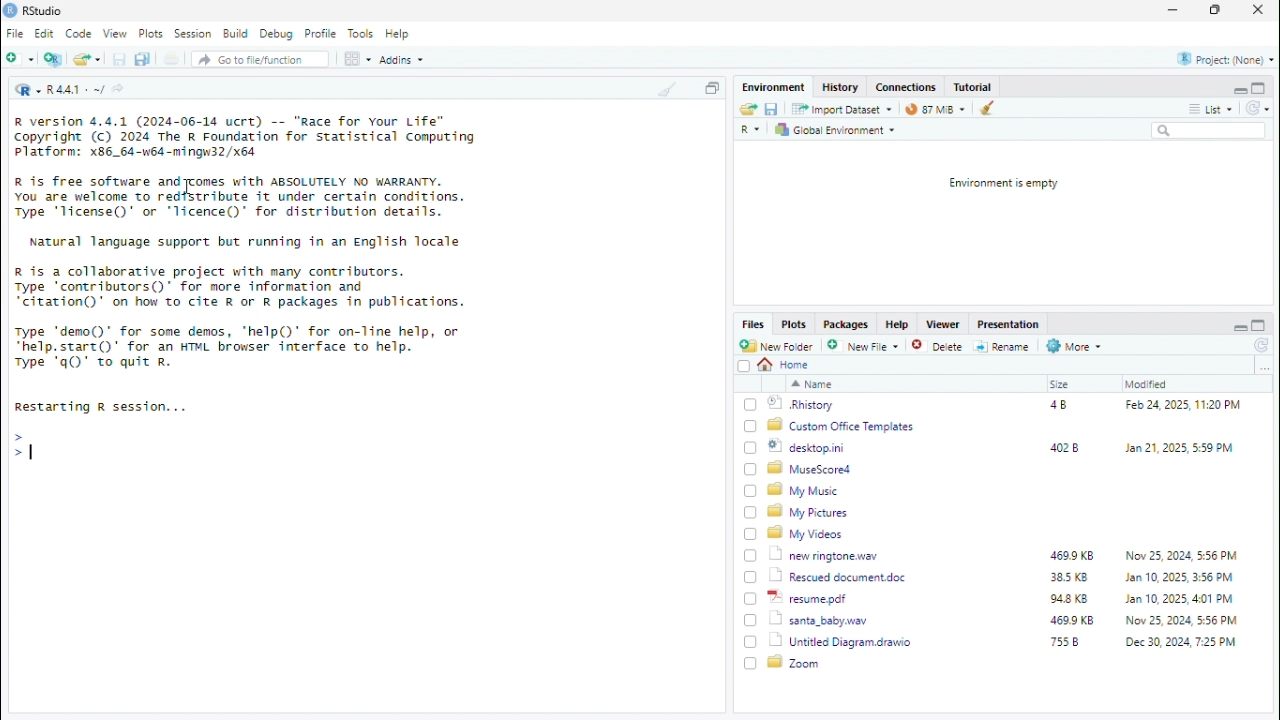 The width and height of the screenshot is (1280, 720). Describe the element at coordinates (151, 33) in the screenshot. I see `Plots` at that location.